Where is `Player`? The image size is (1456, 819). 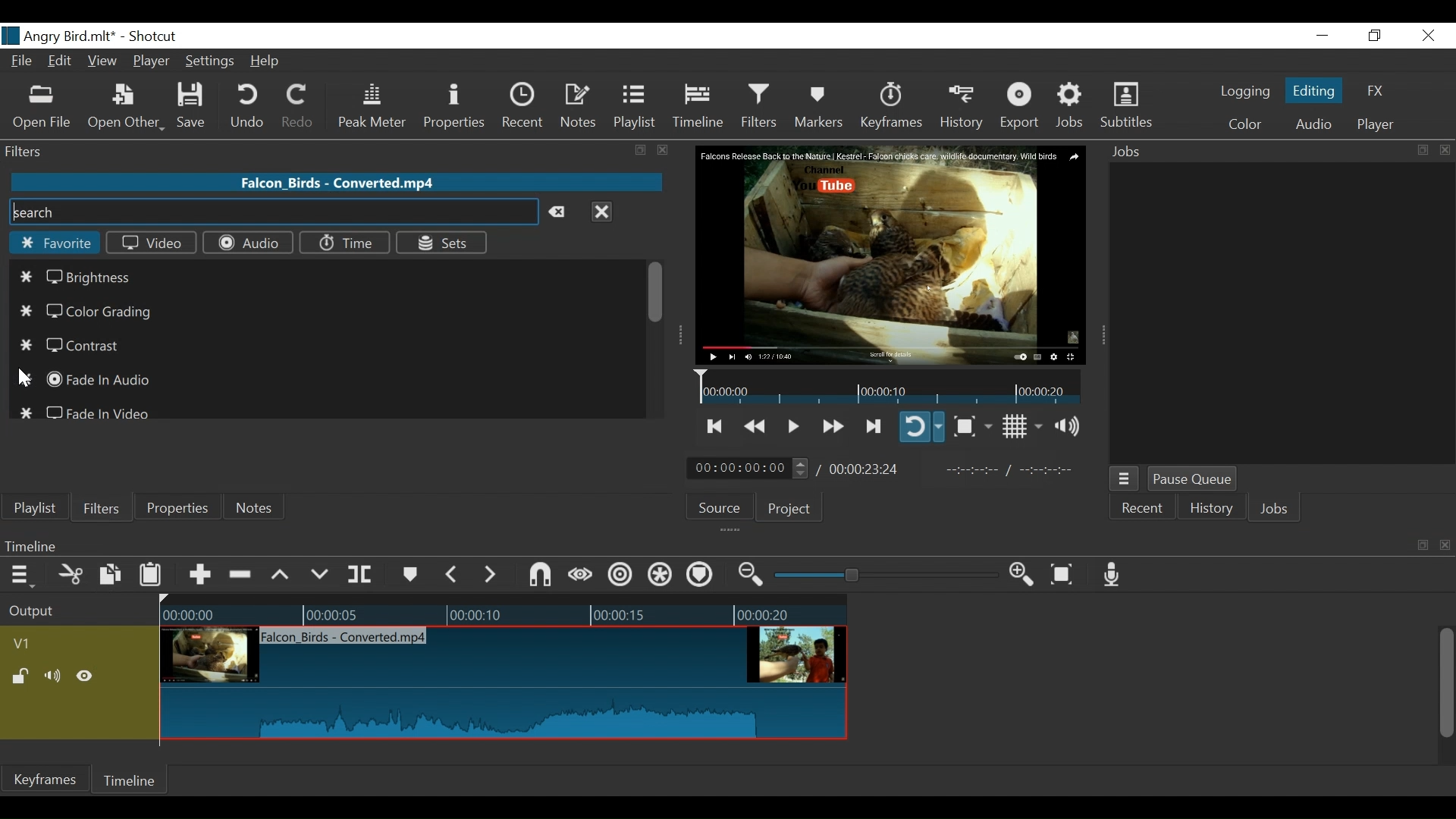
Player is located at coordinates (152, 63).